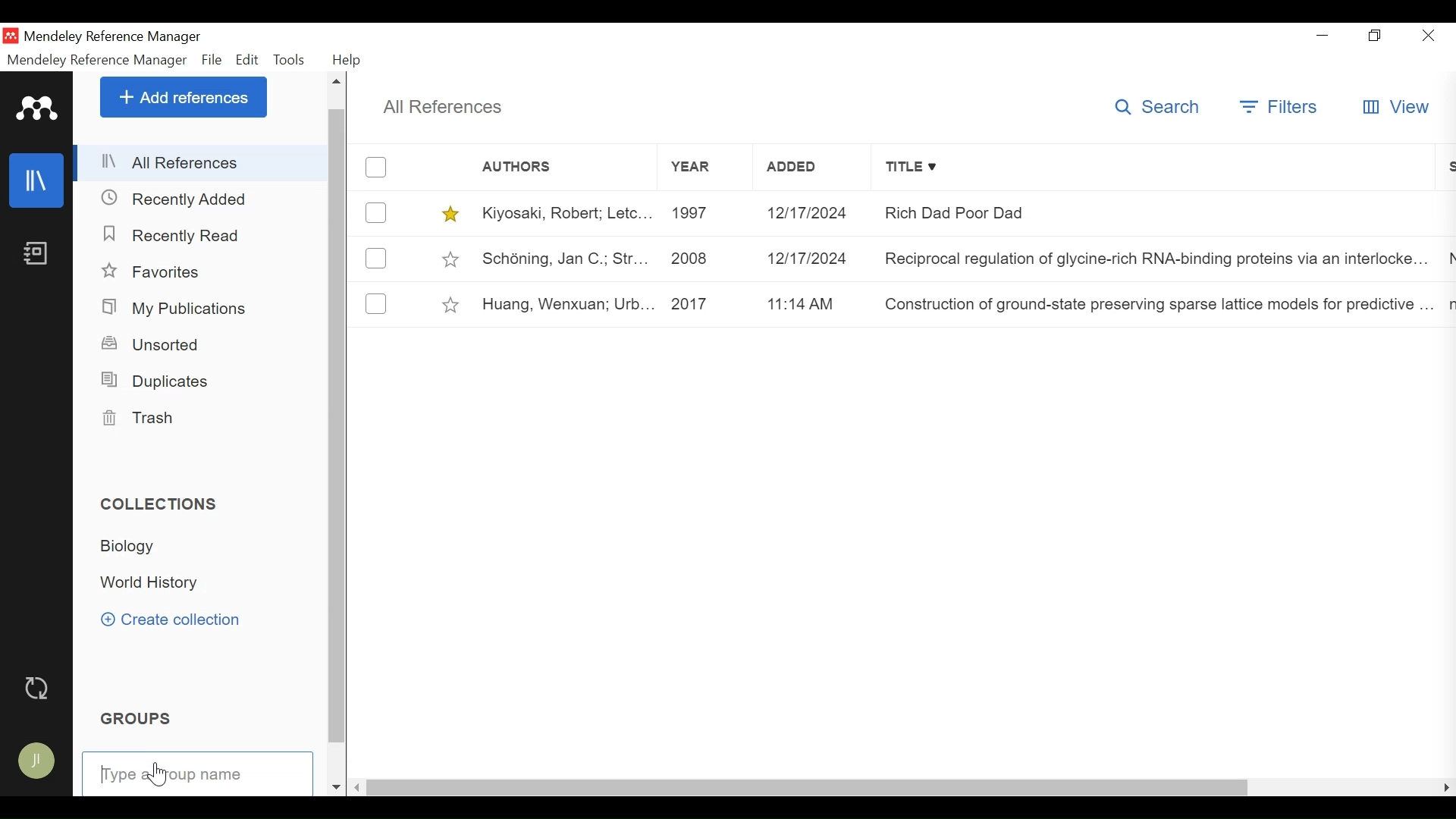 The image size is (1456, 819). I want to click on (un)select, so click(376, 304).